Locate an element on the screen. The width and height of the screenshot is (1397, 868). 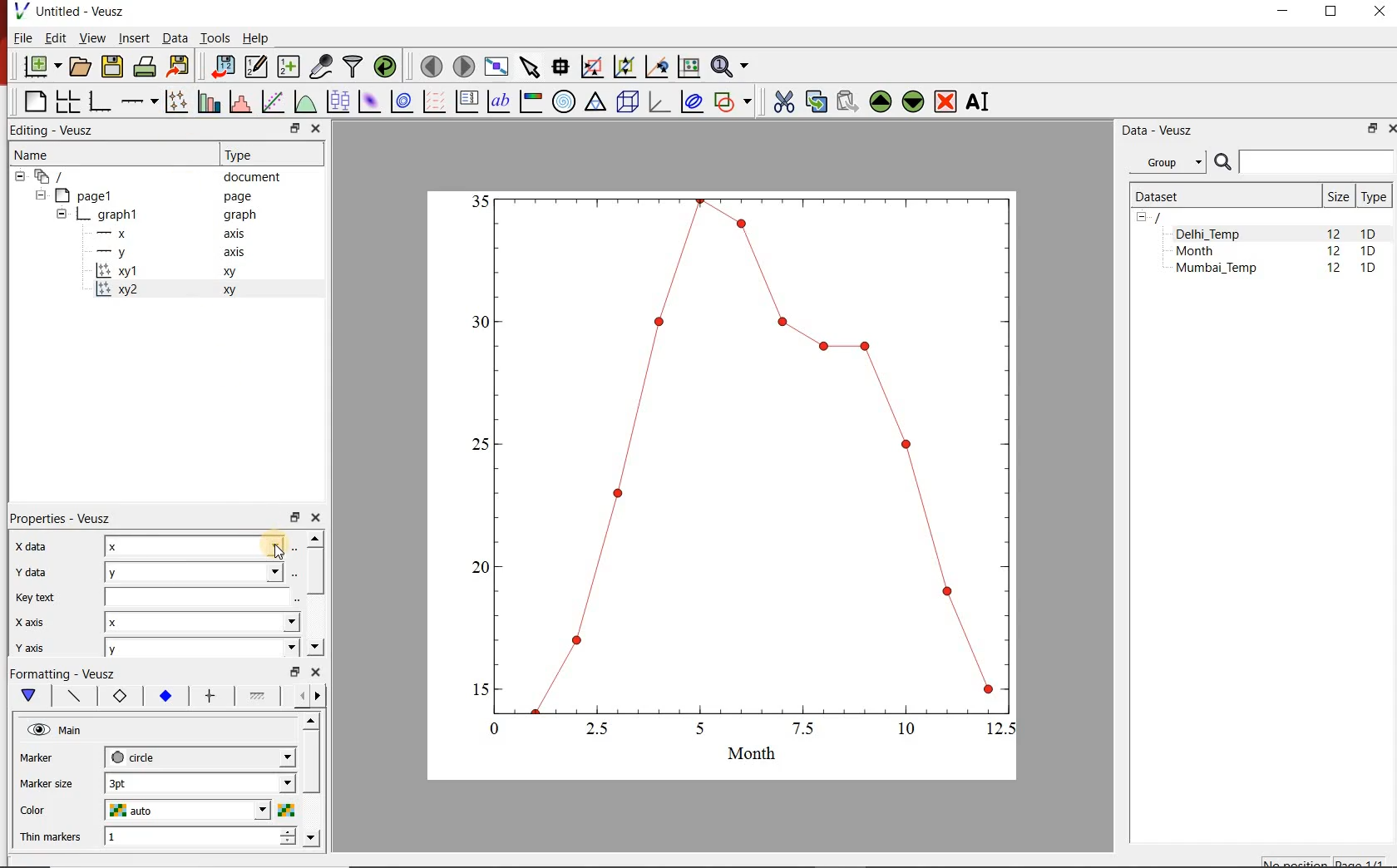
Tools is located at coordinates (216, 38).